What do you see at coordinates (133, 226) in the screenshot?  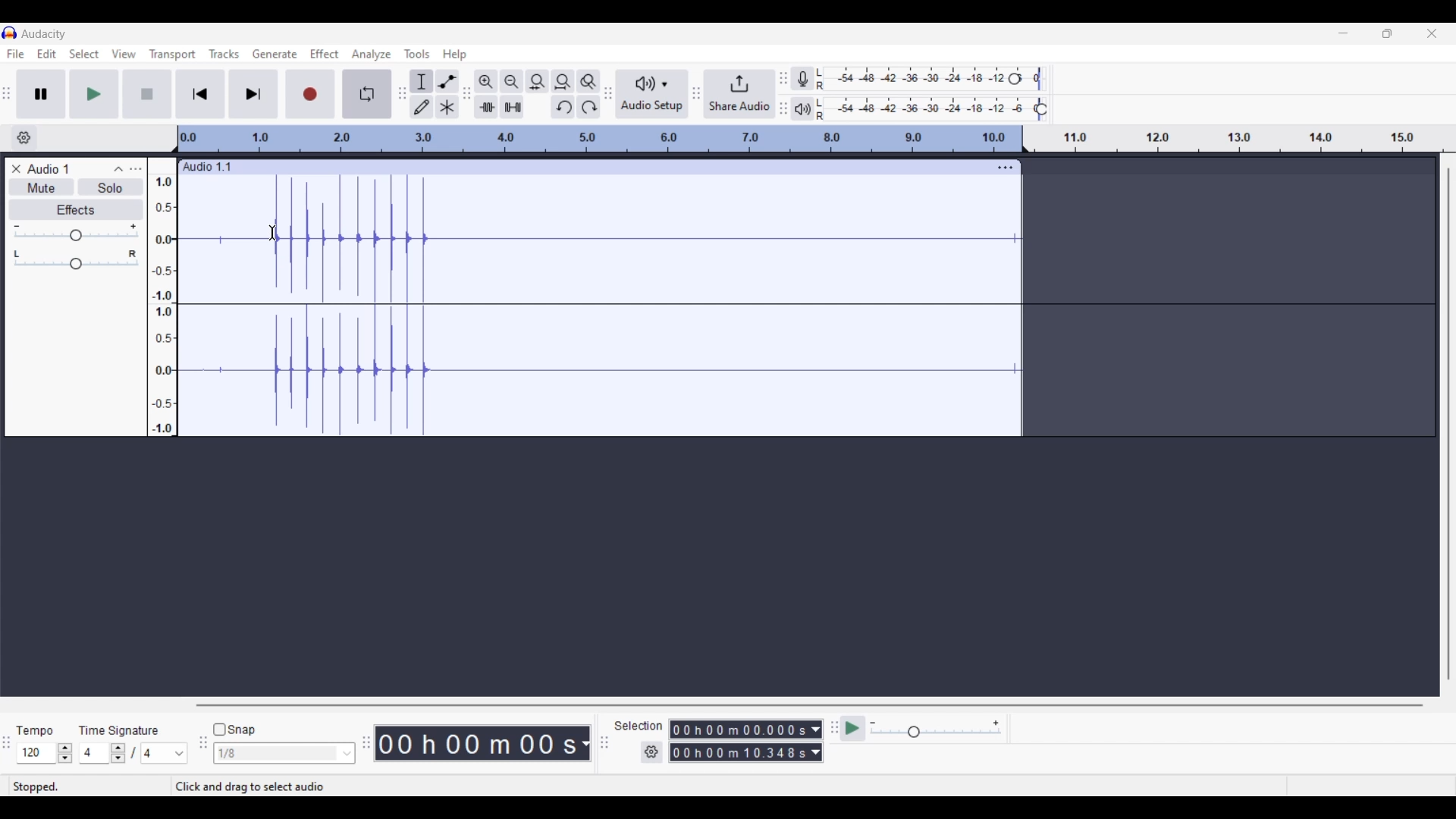 I see `Maximum gain` at bounding box center [133, 226].